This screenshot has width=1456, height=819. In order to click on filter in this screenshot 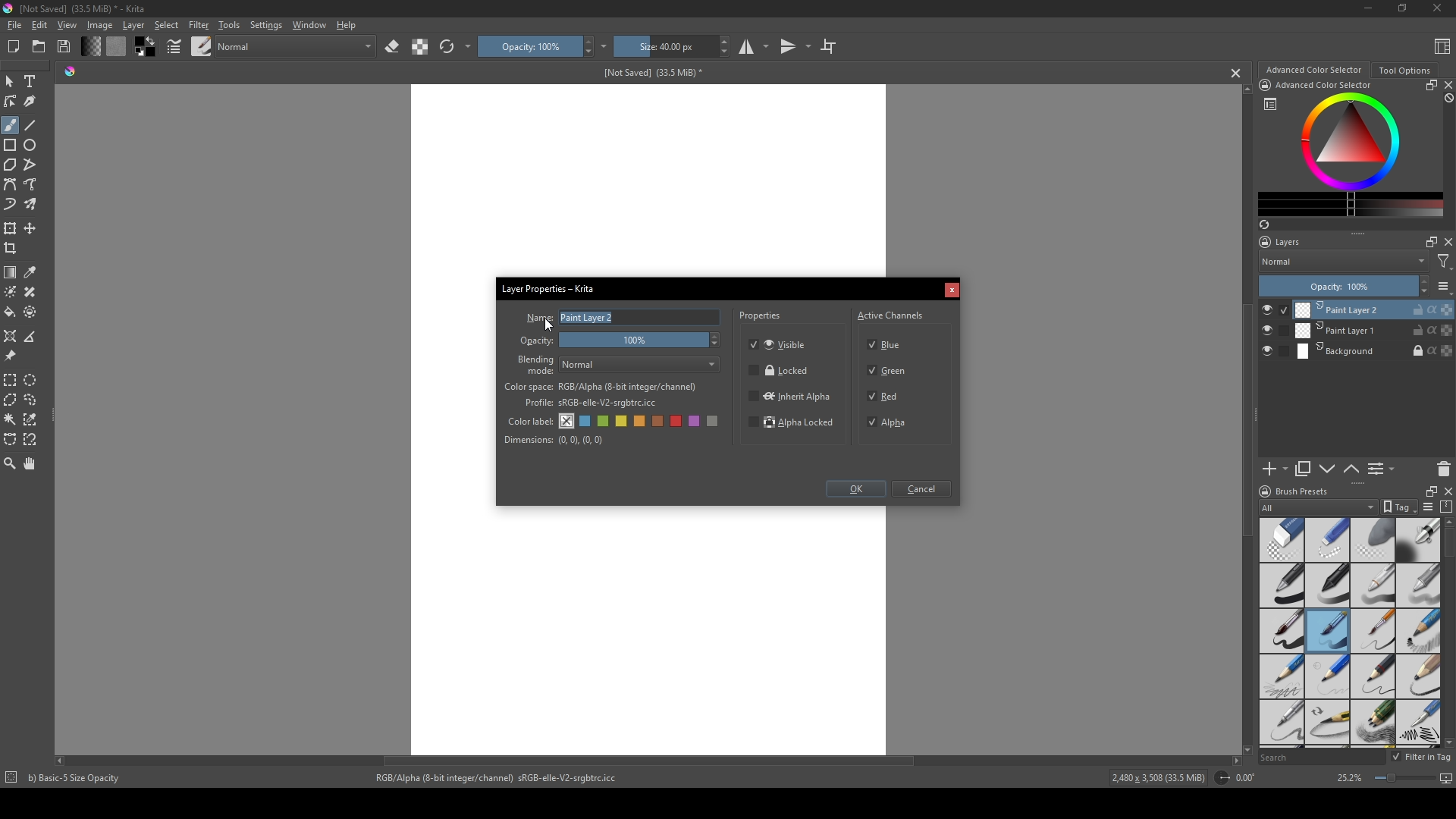, I will do `click(1444, 262)`.